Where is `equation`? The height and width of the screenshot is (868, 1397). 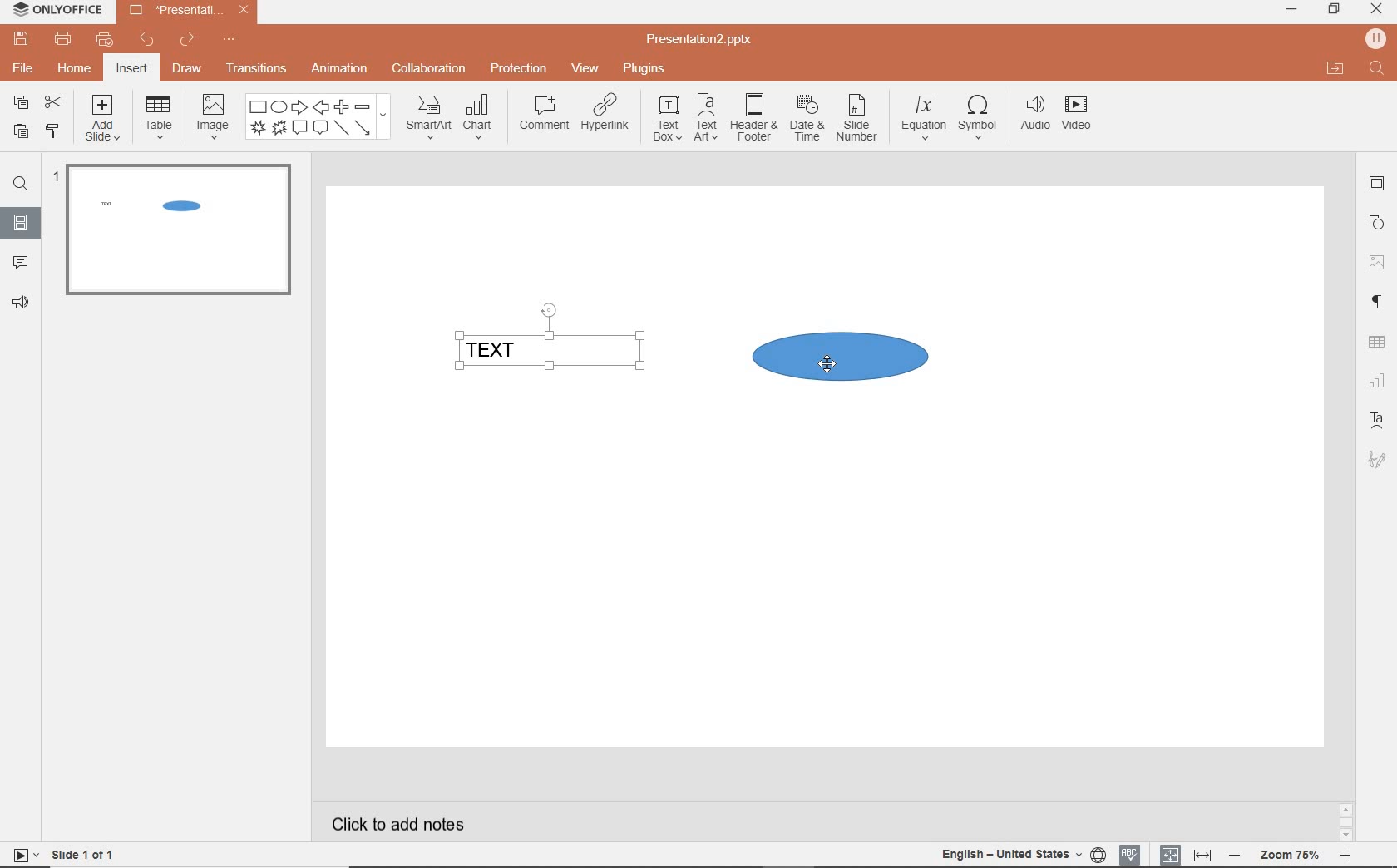 equation is located at coordinates (921, 121).